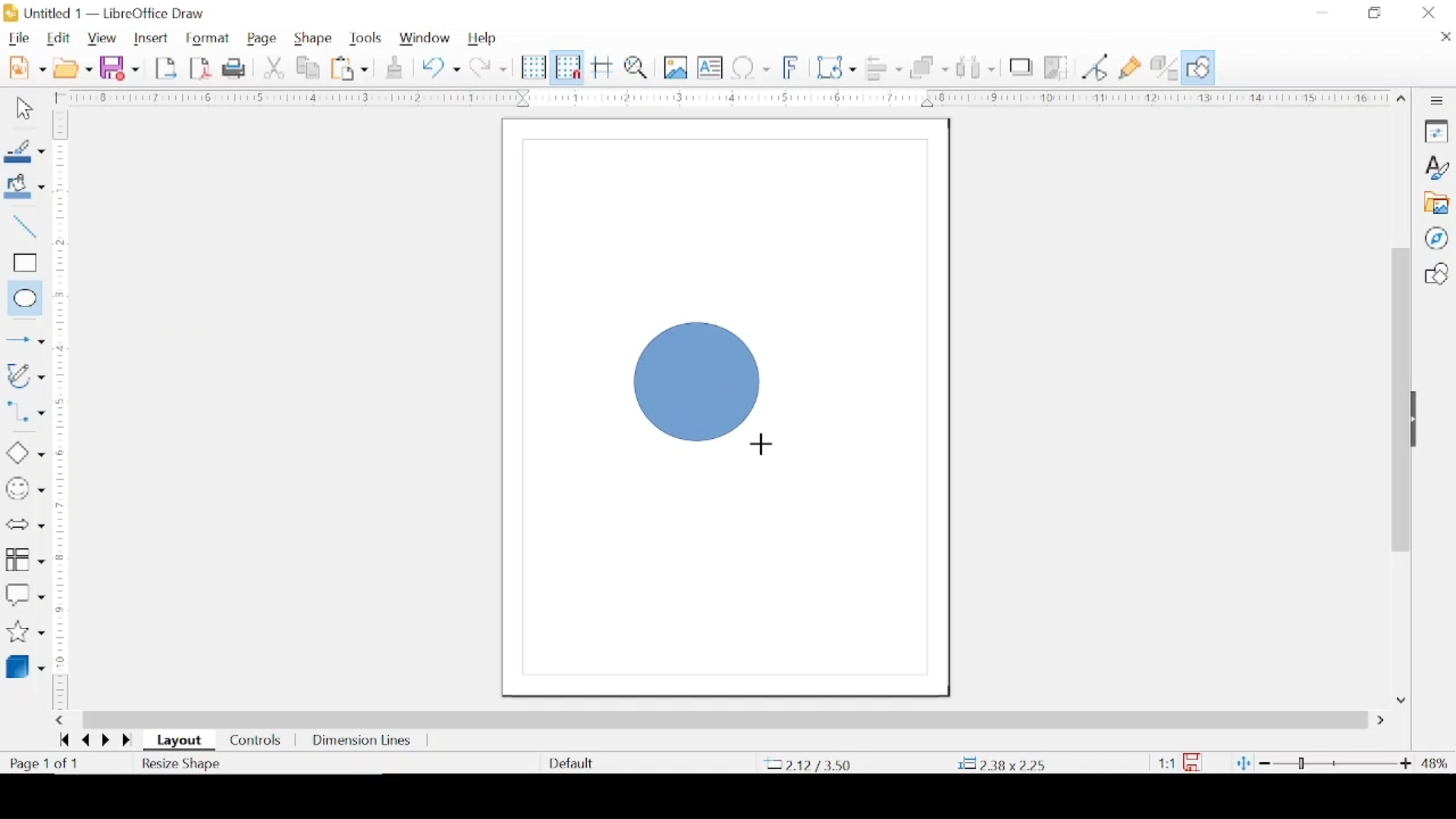 Image resolution: width=1456 pixels, height=819 pixels. I want to click on dimension lines, so click(361, 741).